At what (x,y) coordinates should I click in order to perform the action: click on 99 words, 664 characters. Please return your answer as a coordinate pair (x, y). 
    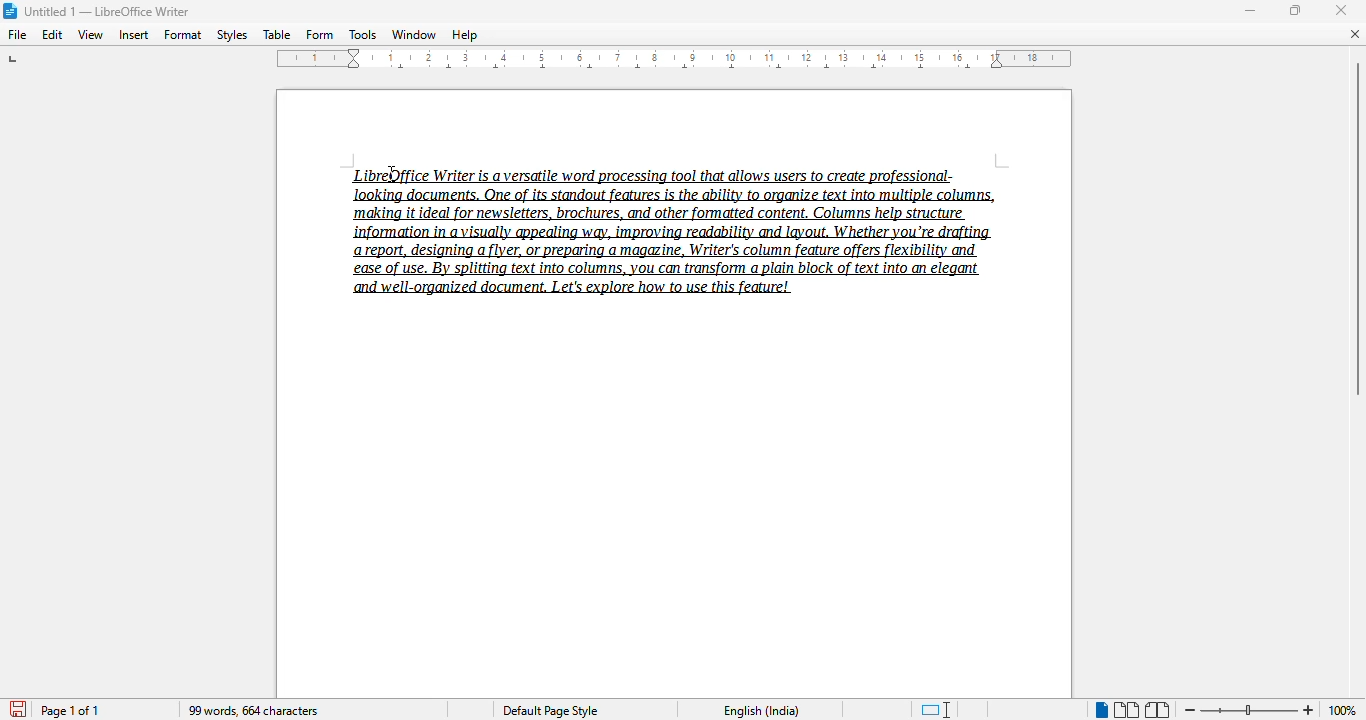
    Looking at the image, I should click on (254, 711).